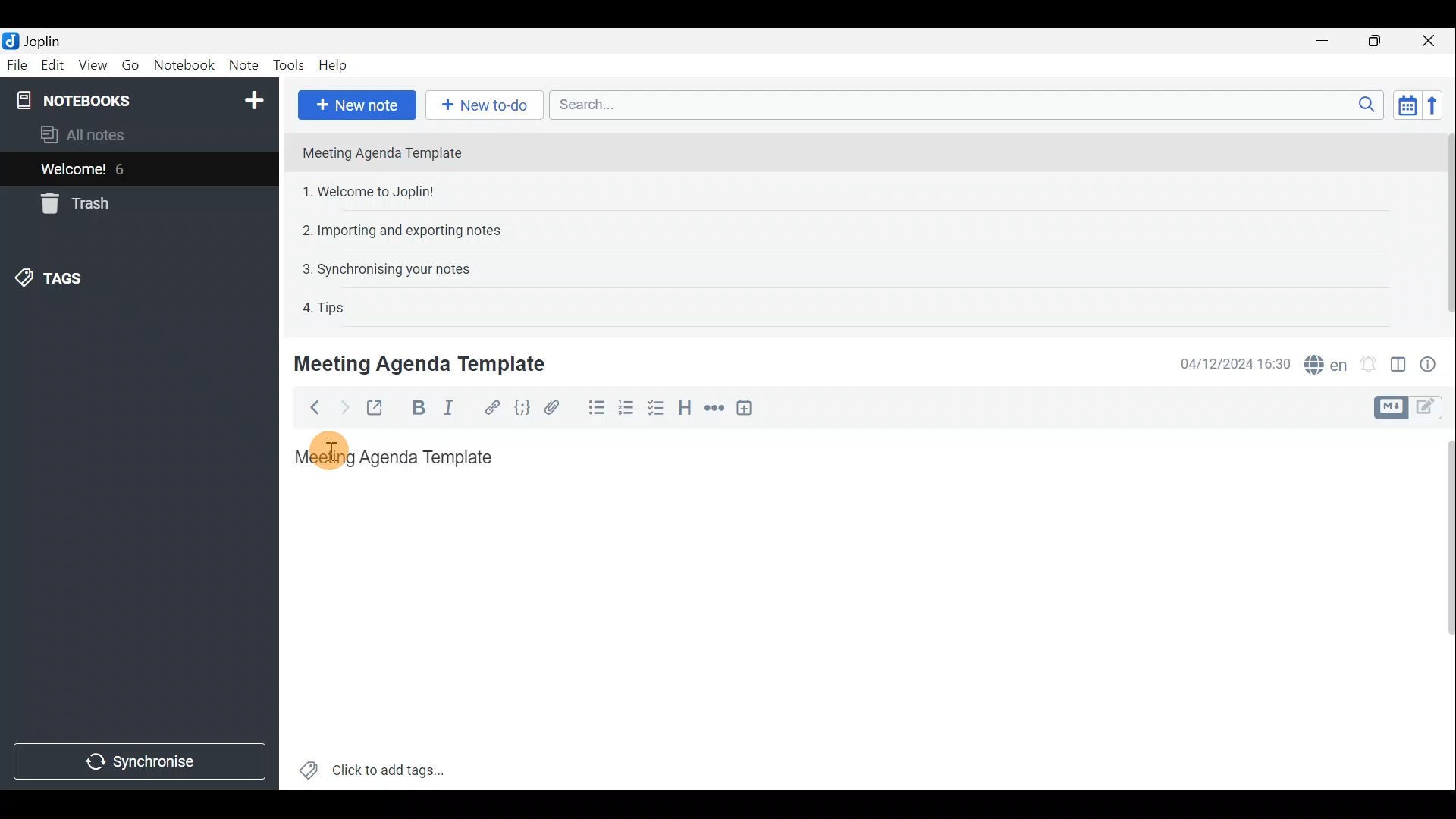 The image size is (1456, 819). What do you see at coordinates (1433, 363) in the screenshot?
I see `Note properties` at bounding box center [1433, 363].